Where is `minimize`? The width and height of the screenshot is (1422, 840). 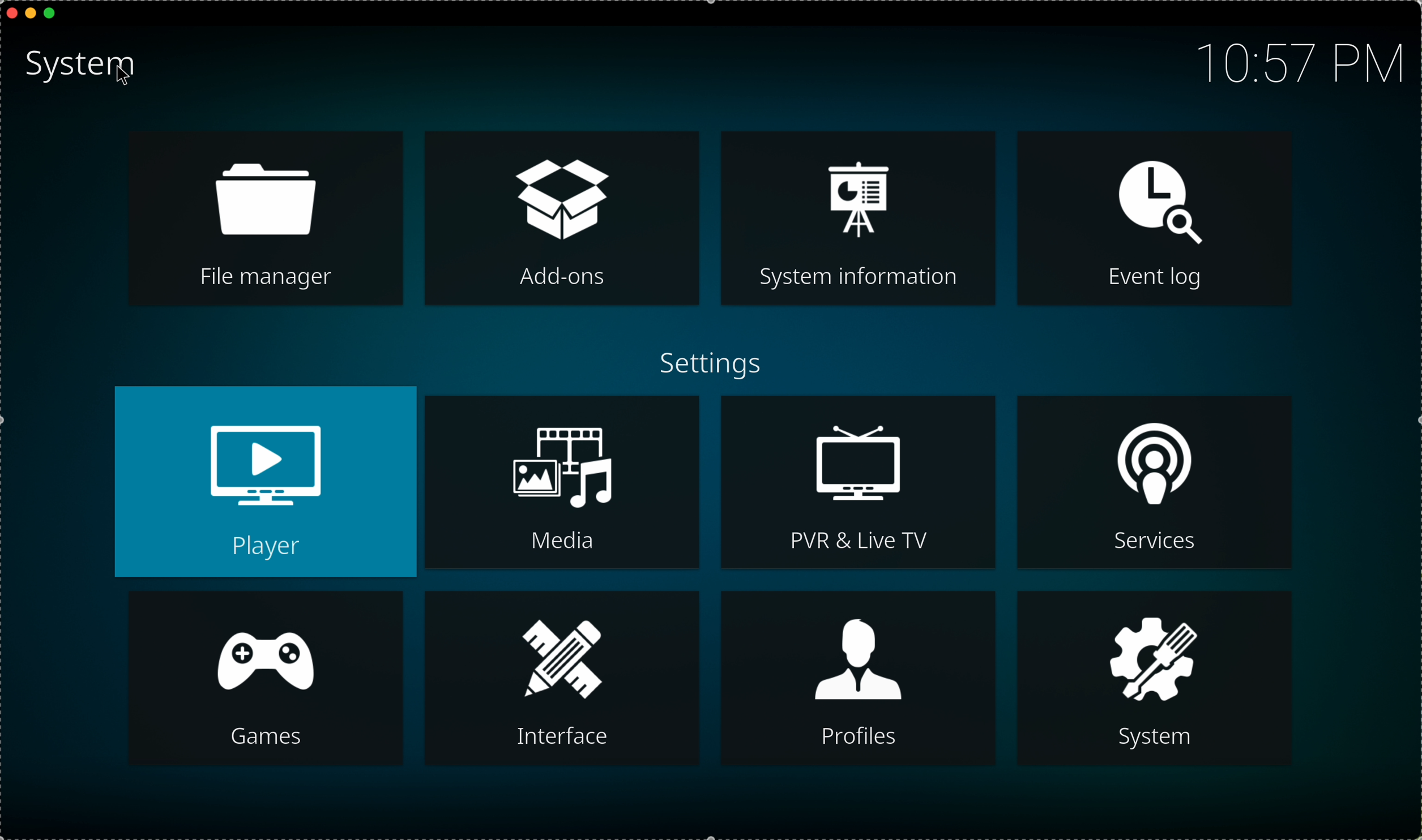
minimize is located at coordinates (31, 16).